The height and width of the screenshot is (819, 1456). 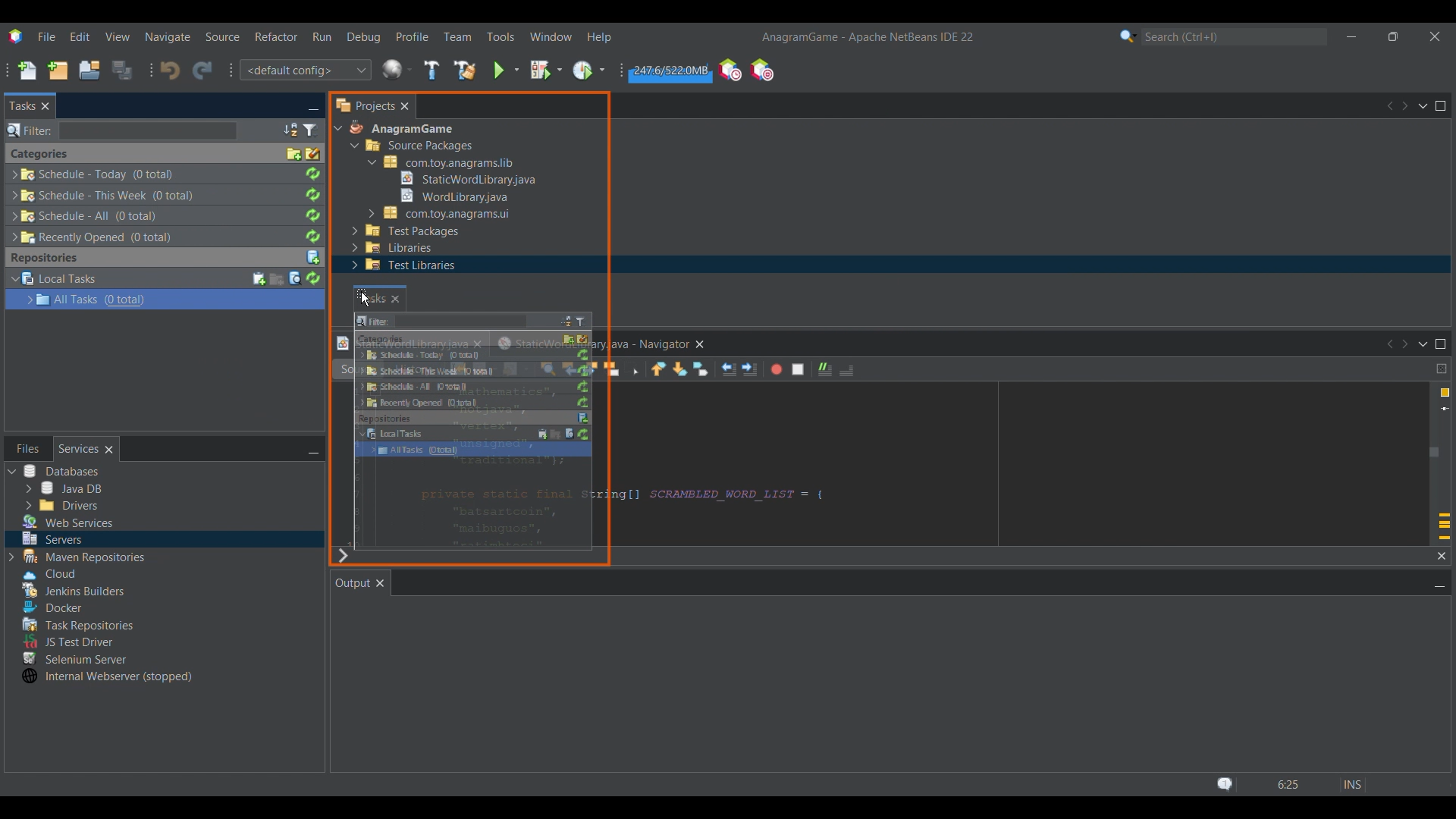 What do you see at coordinates (1404, 105) in the screenshot?
I see `Next` at bounding box center [1404, 105].